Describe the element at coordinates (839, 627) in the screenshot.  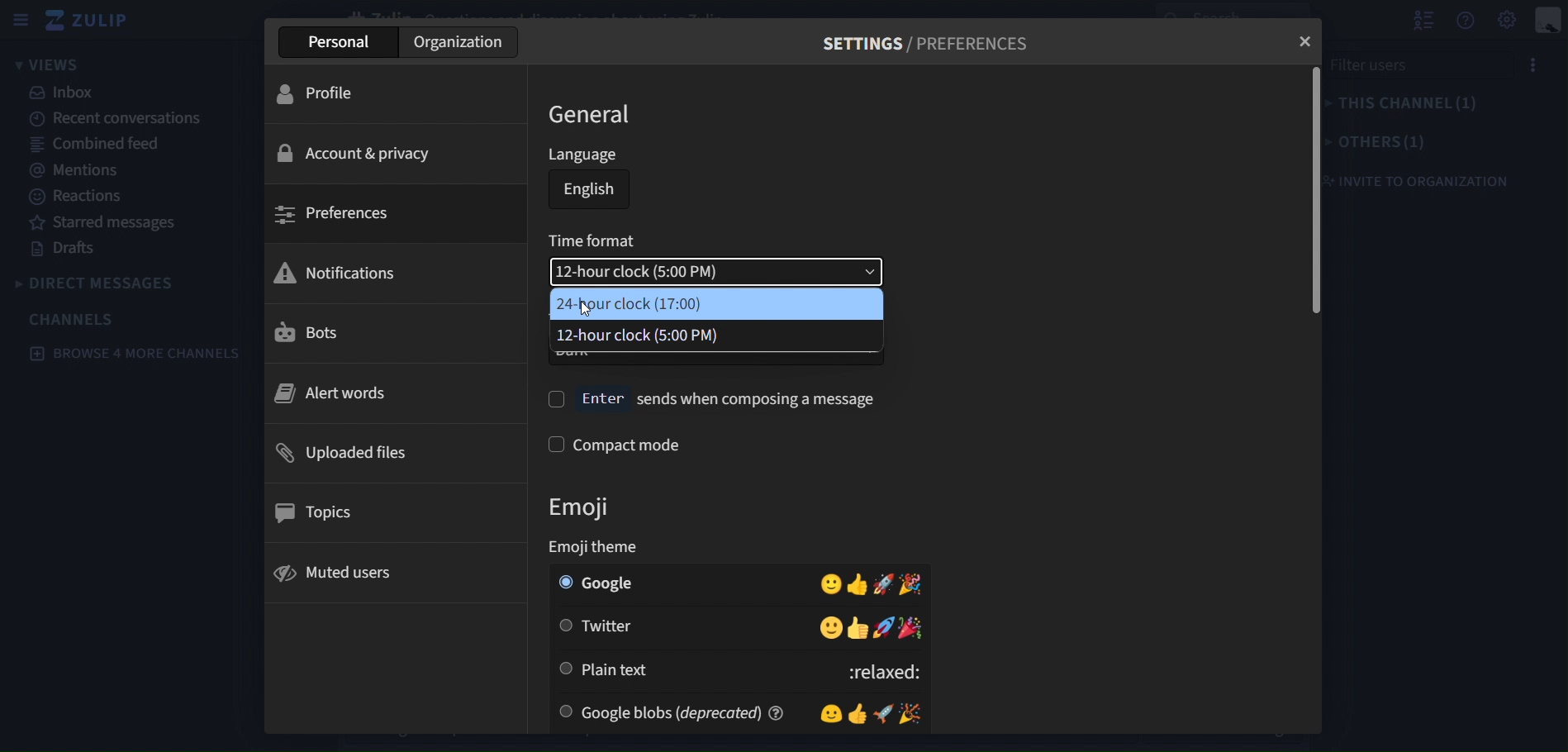
I see `Emojis` at that location.